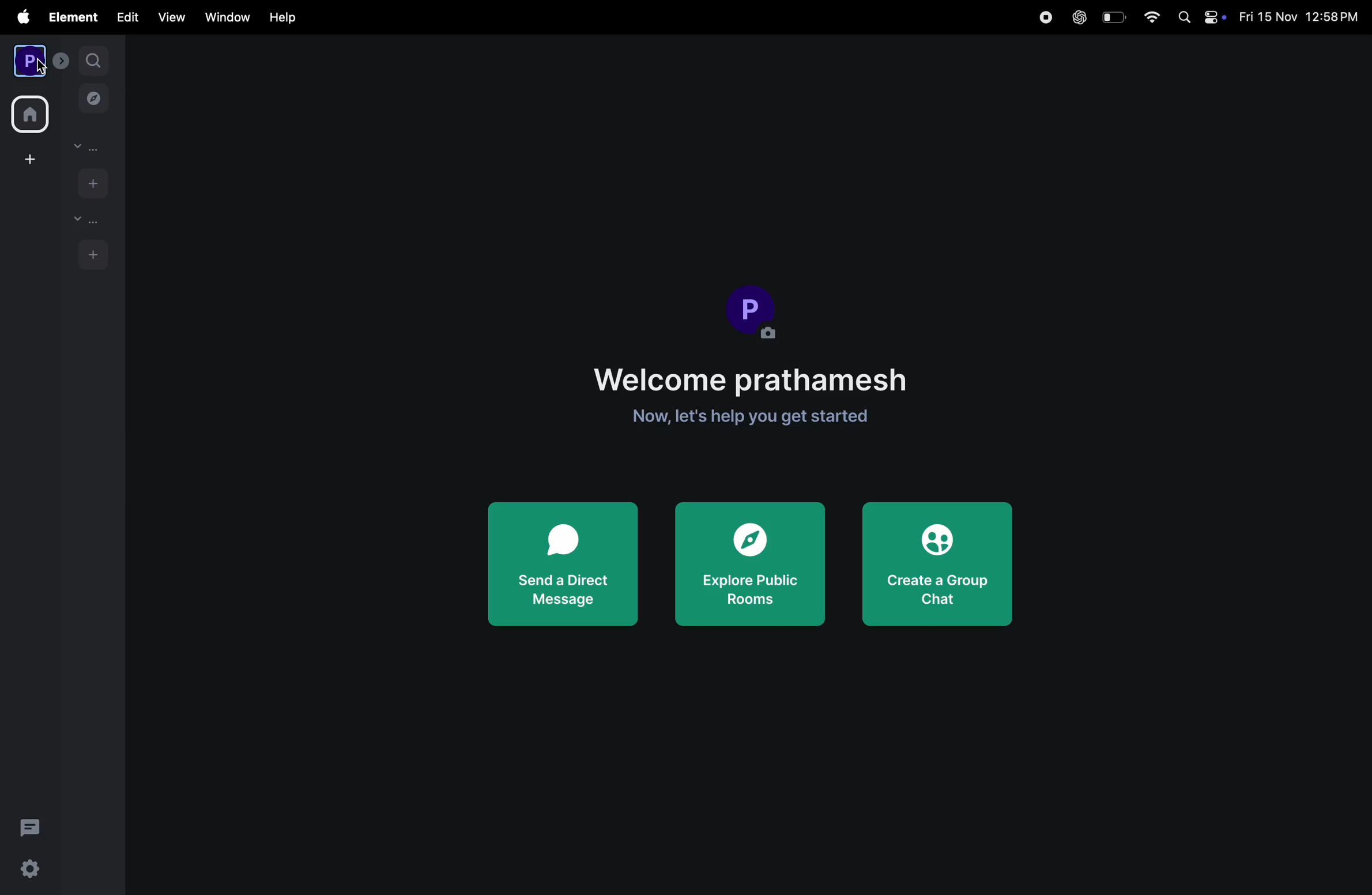  What do you see at coordinates (93, 253) in the screenshot?
I see `add rooms` at bounding box center [93, 253].